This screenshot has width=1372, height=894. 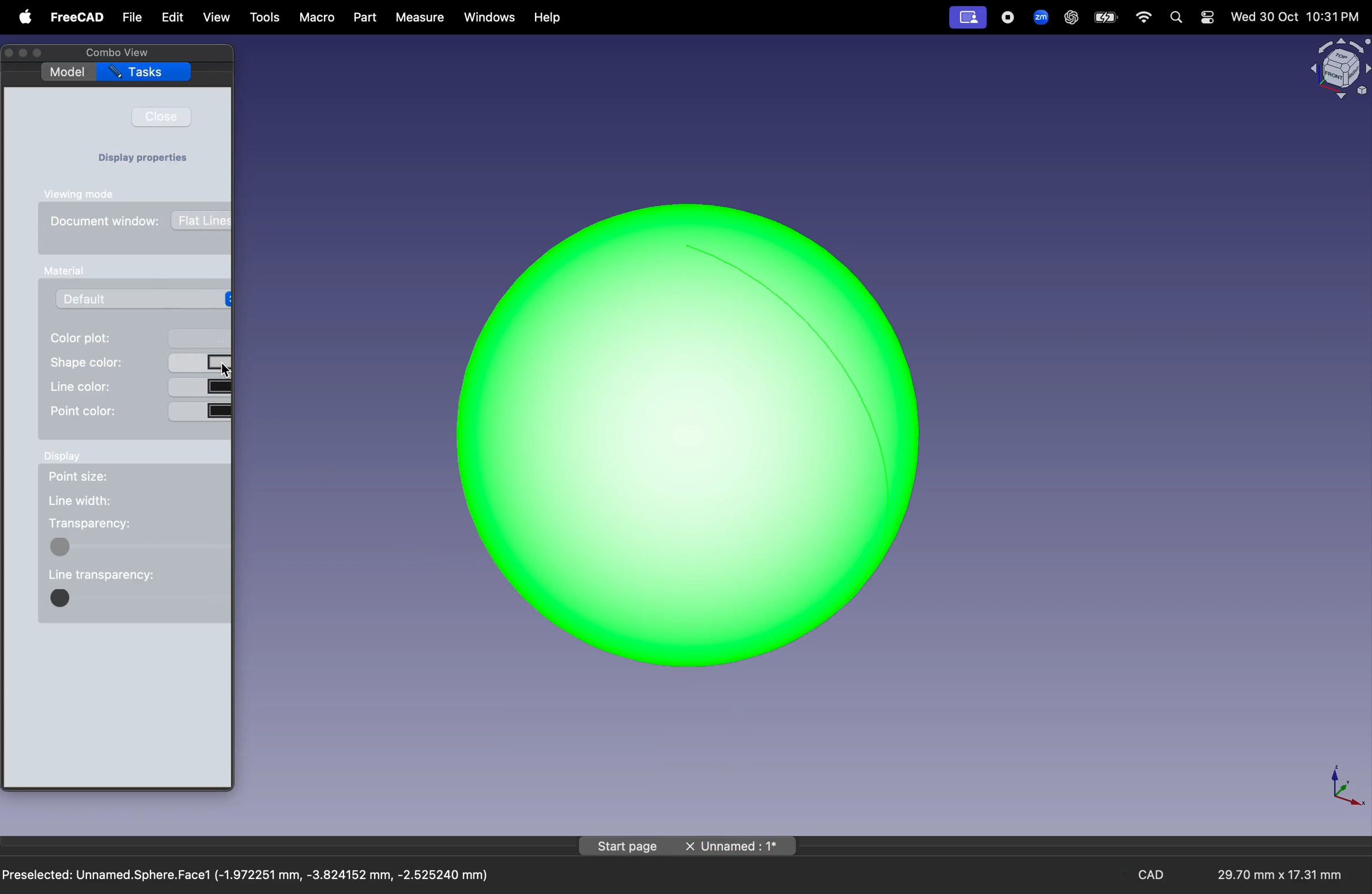 I want to click on fit line, so click(x=201, y=220).